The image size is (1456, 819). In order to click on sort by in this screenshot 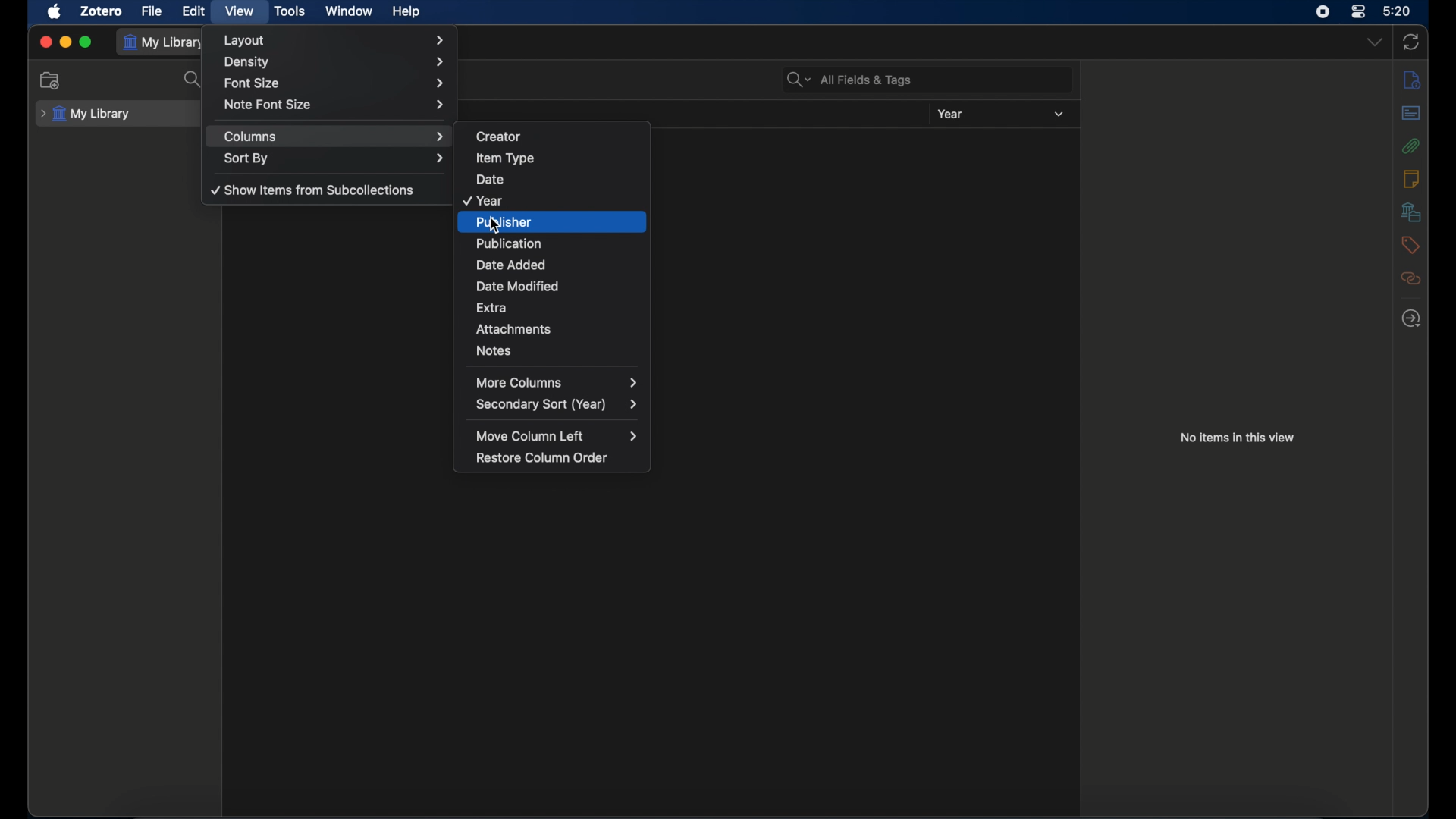, I will do `click(335, 158)`.